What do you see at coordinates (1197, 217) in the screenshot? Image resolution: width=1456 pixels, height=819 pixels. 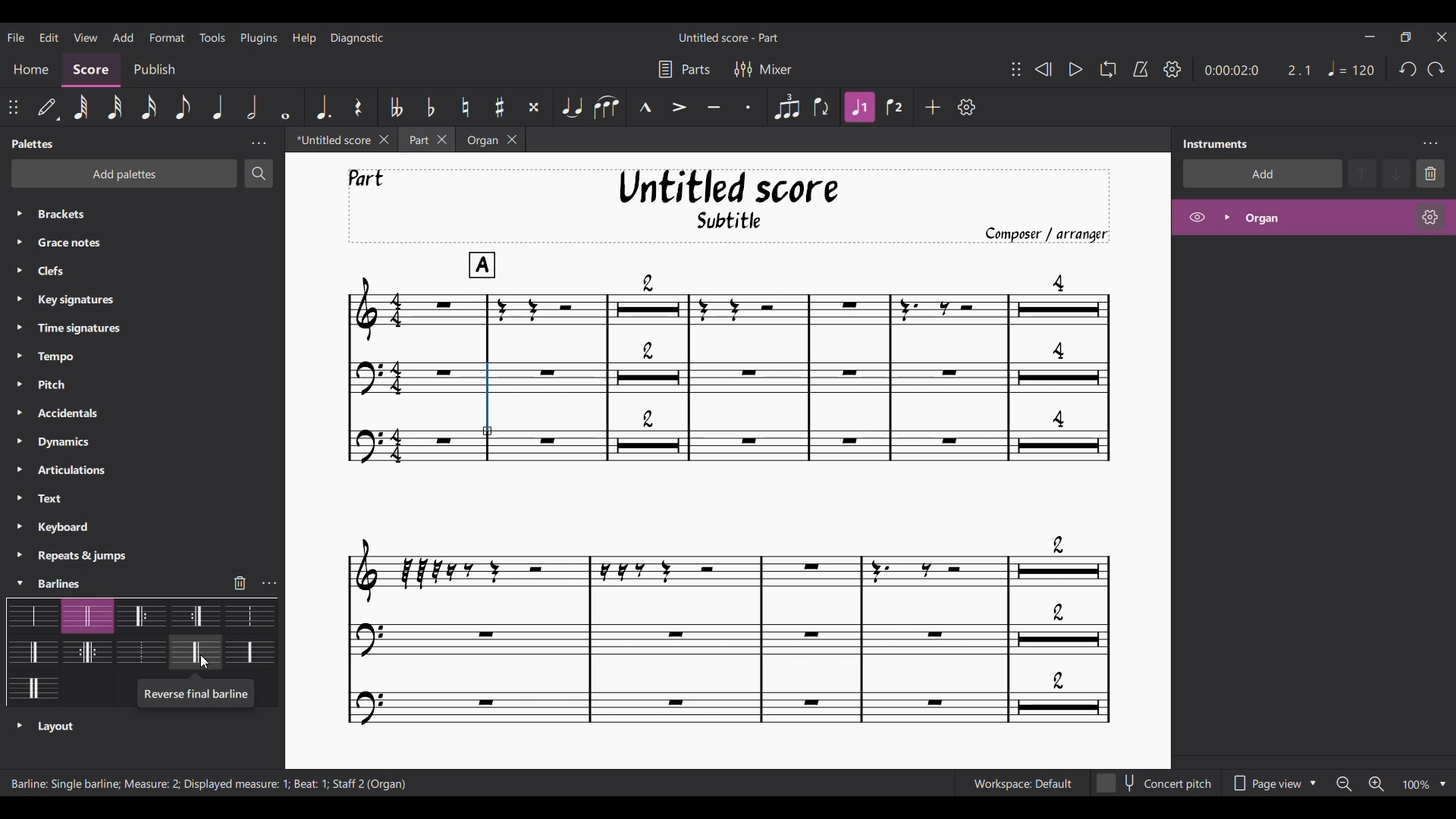 I see `Hide organ` at bounding box center [1197, 217].